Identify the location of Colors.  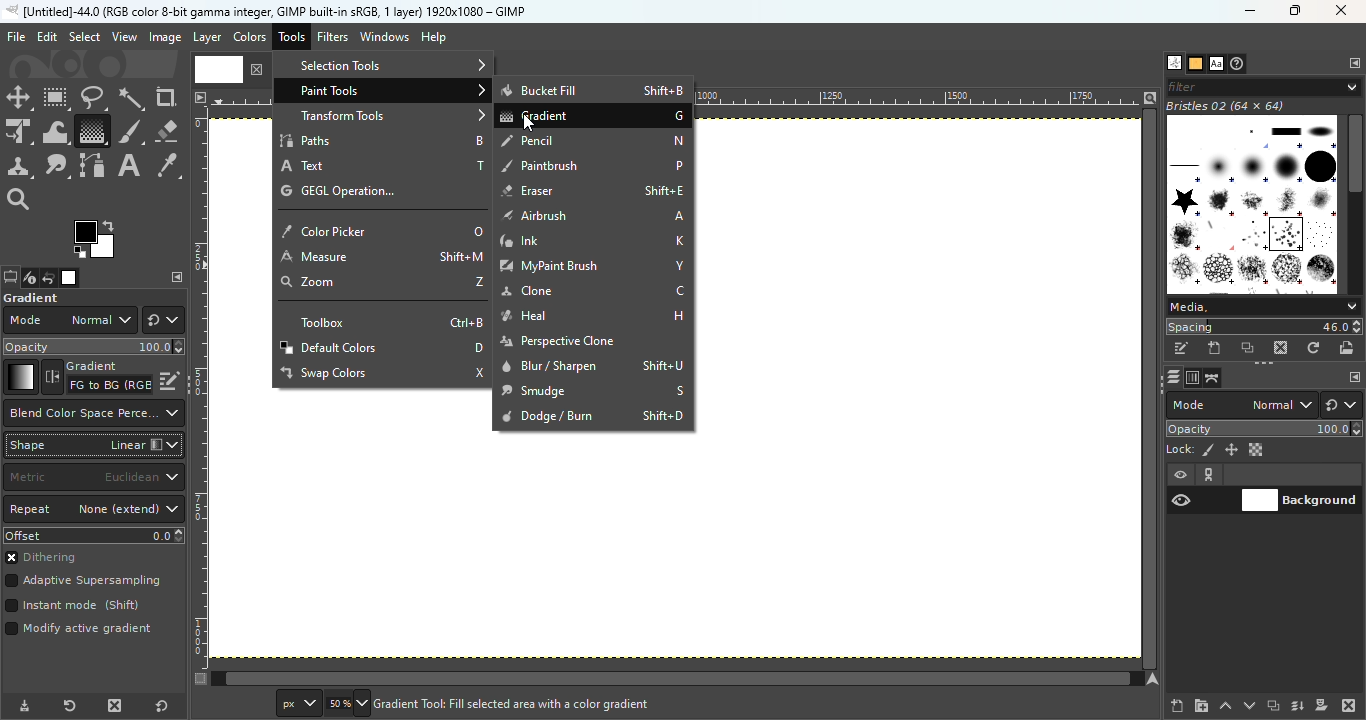
(248, 36).